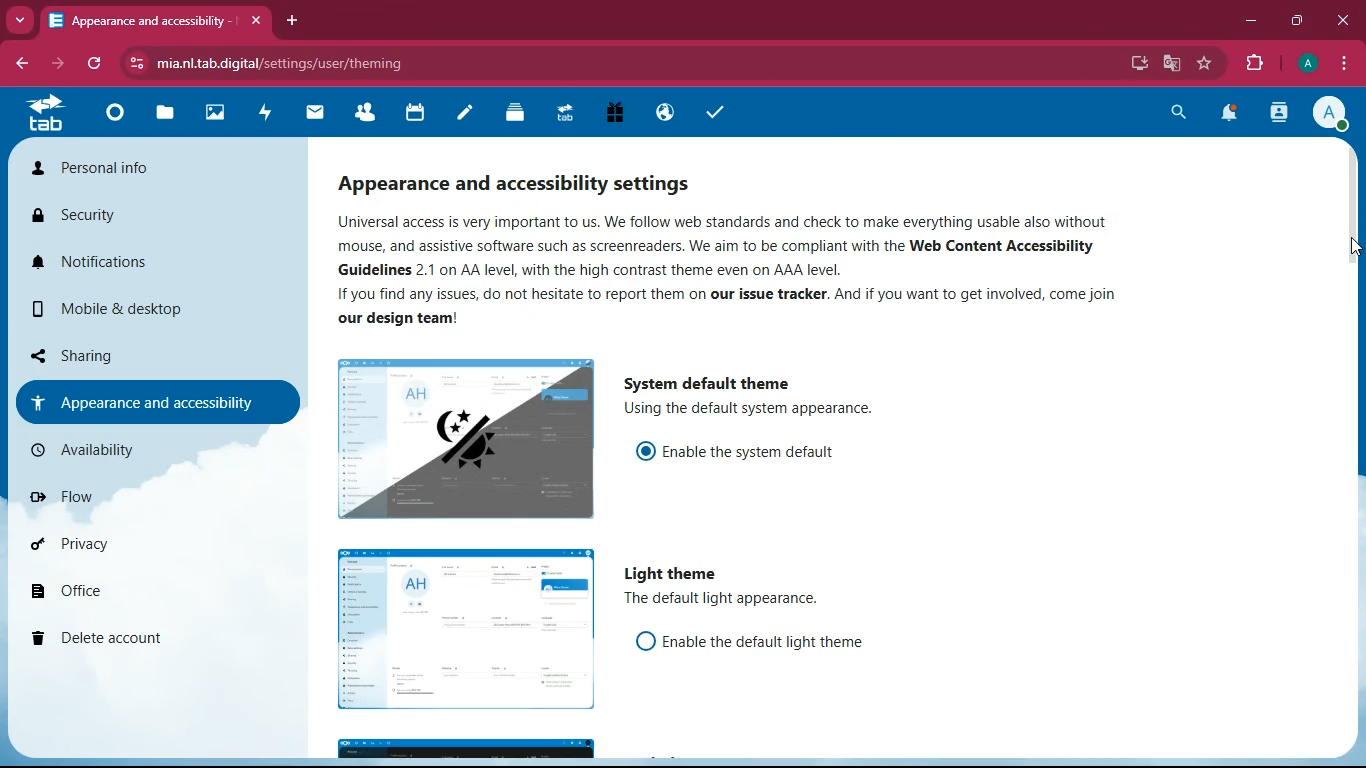 Image resolution: width=1366 pixels, height=768 pixels. What do you see at coordinates (109, 219) in the screenshot?
I see `security` at bounding box center [109, 219].